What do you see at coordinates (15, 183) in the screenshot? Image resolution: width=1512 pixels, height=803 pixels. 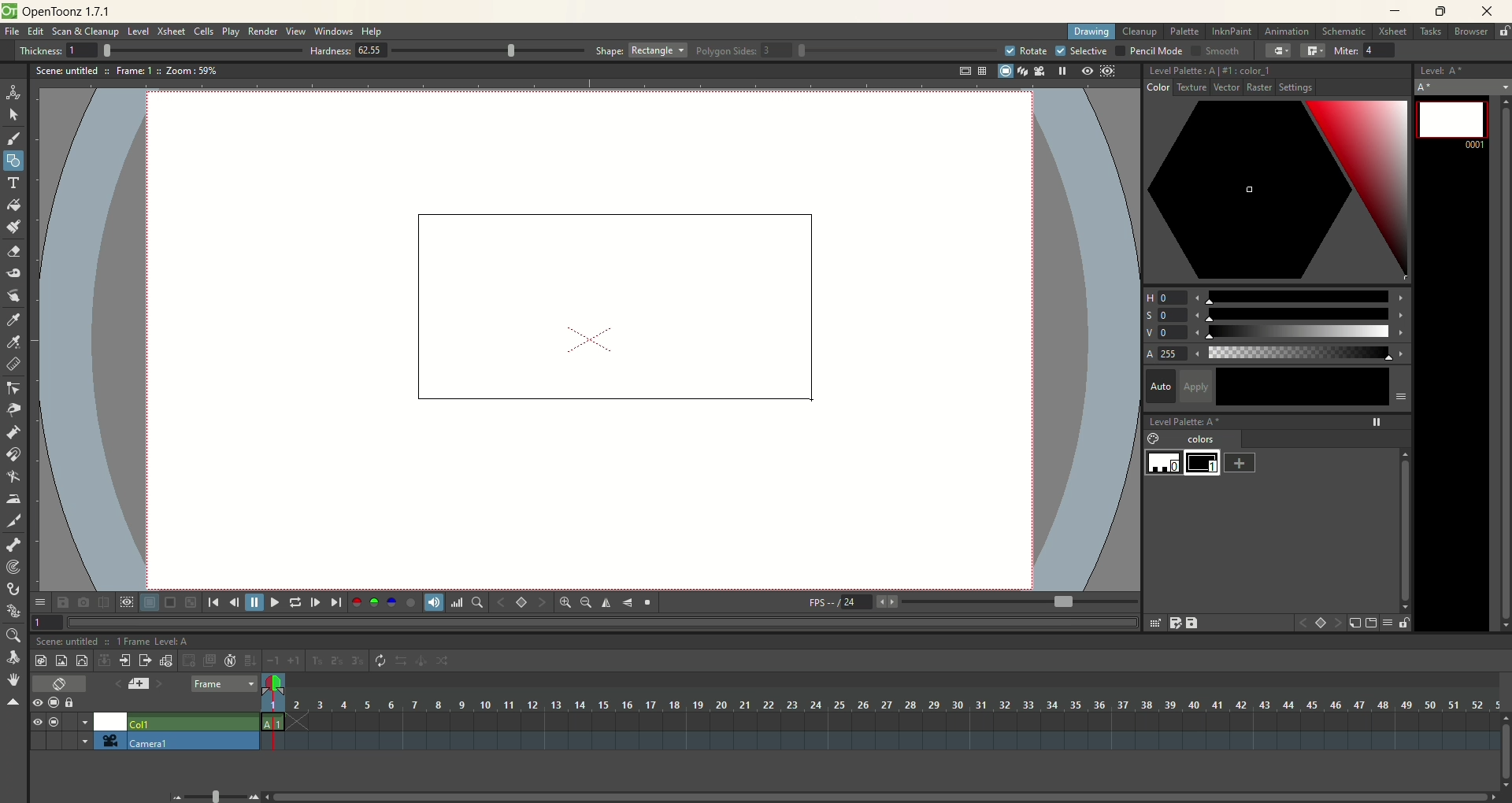 I see `type tool` at bounding box center [15, 183].